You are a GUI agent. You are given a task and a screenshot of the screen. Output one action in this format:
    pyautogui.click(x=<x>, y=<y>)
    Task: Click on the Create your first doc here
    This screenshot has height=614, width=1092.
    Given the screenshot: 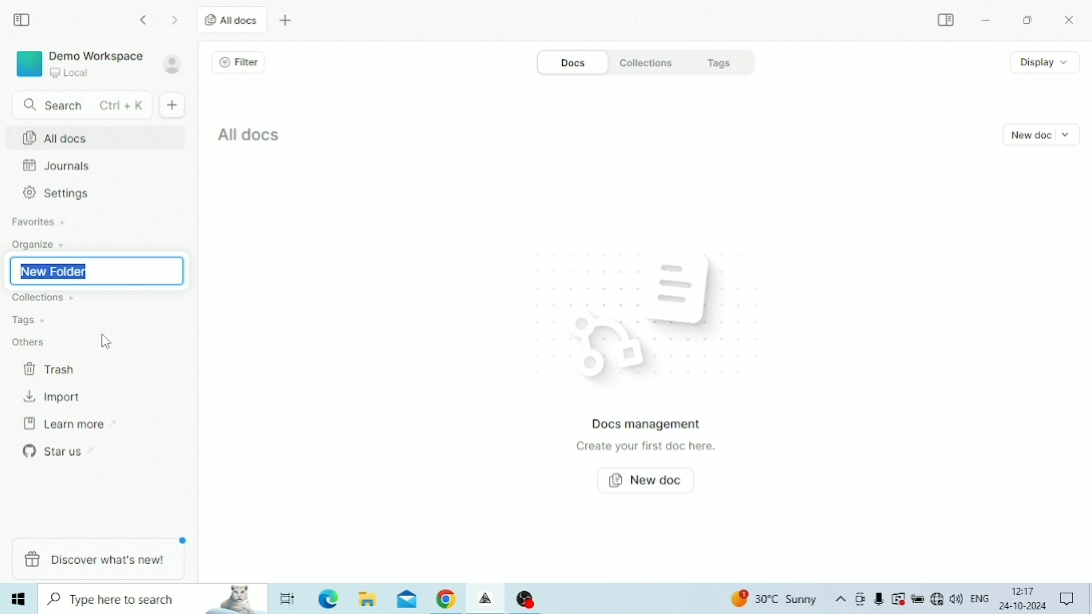 What is the action you would take?
    pyautogui.click(x=648, y=448)
    